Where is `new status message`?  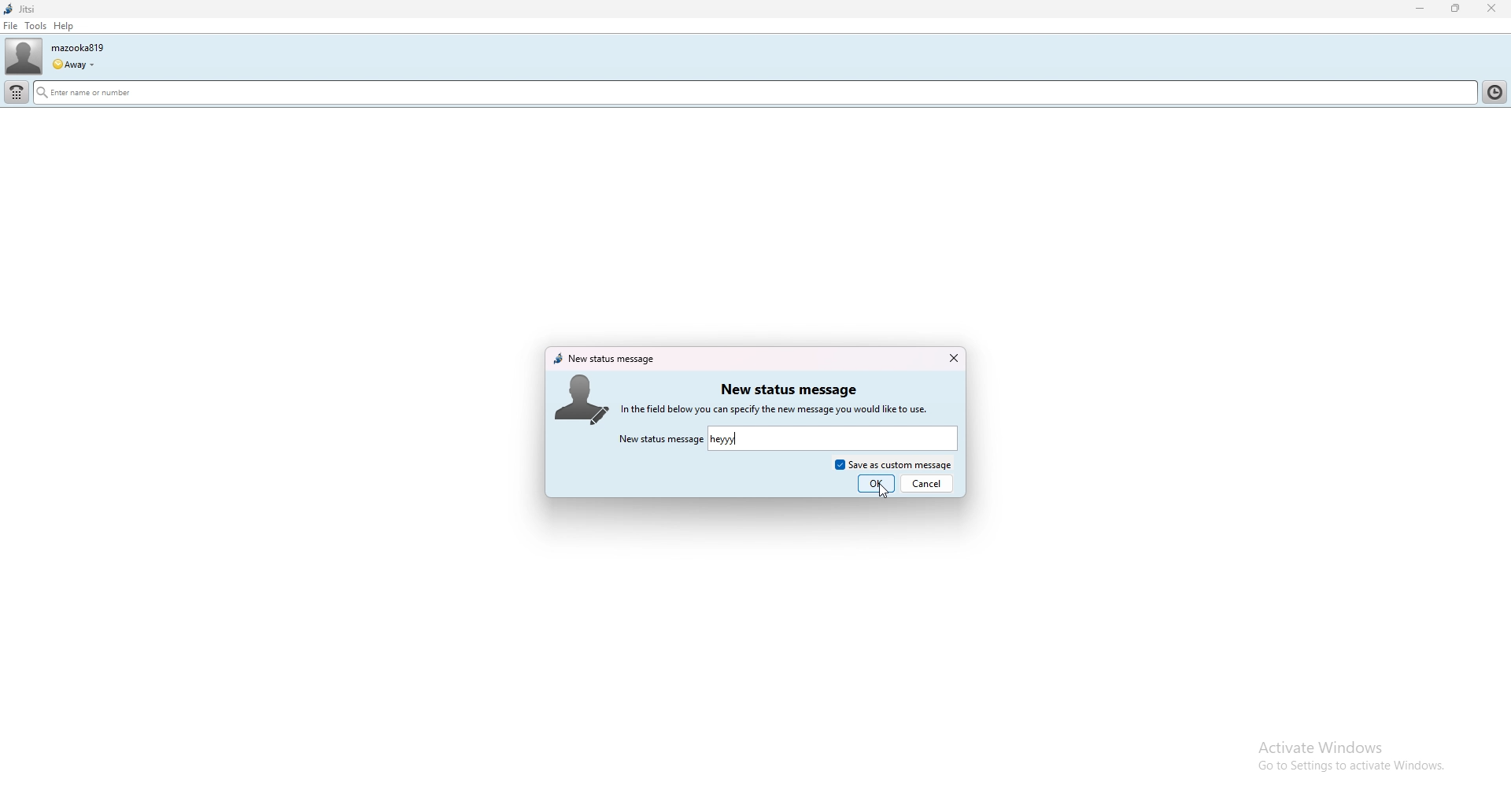
new status message is located at coordinates (605, 359).